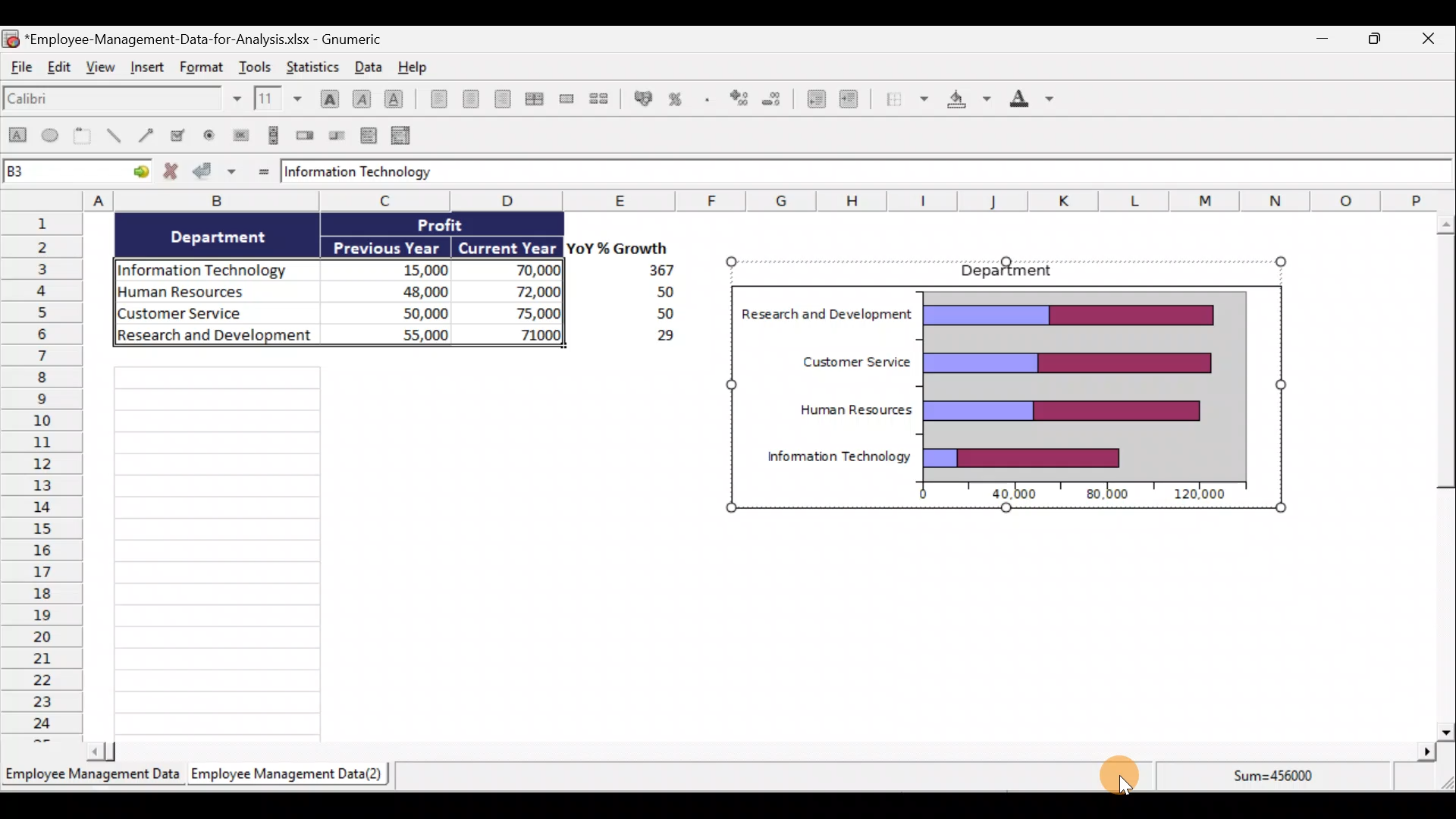  What do you see at coordinates (149, 137) in the screenshot?
I see `Create an arrow object` at bounding box center [149, 137].